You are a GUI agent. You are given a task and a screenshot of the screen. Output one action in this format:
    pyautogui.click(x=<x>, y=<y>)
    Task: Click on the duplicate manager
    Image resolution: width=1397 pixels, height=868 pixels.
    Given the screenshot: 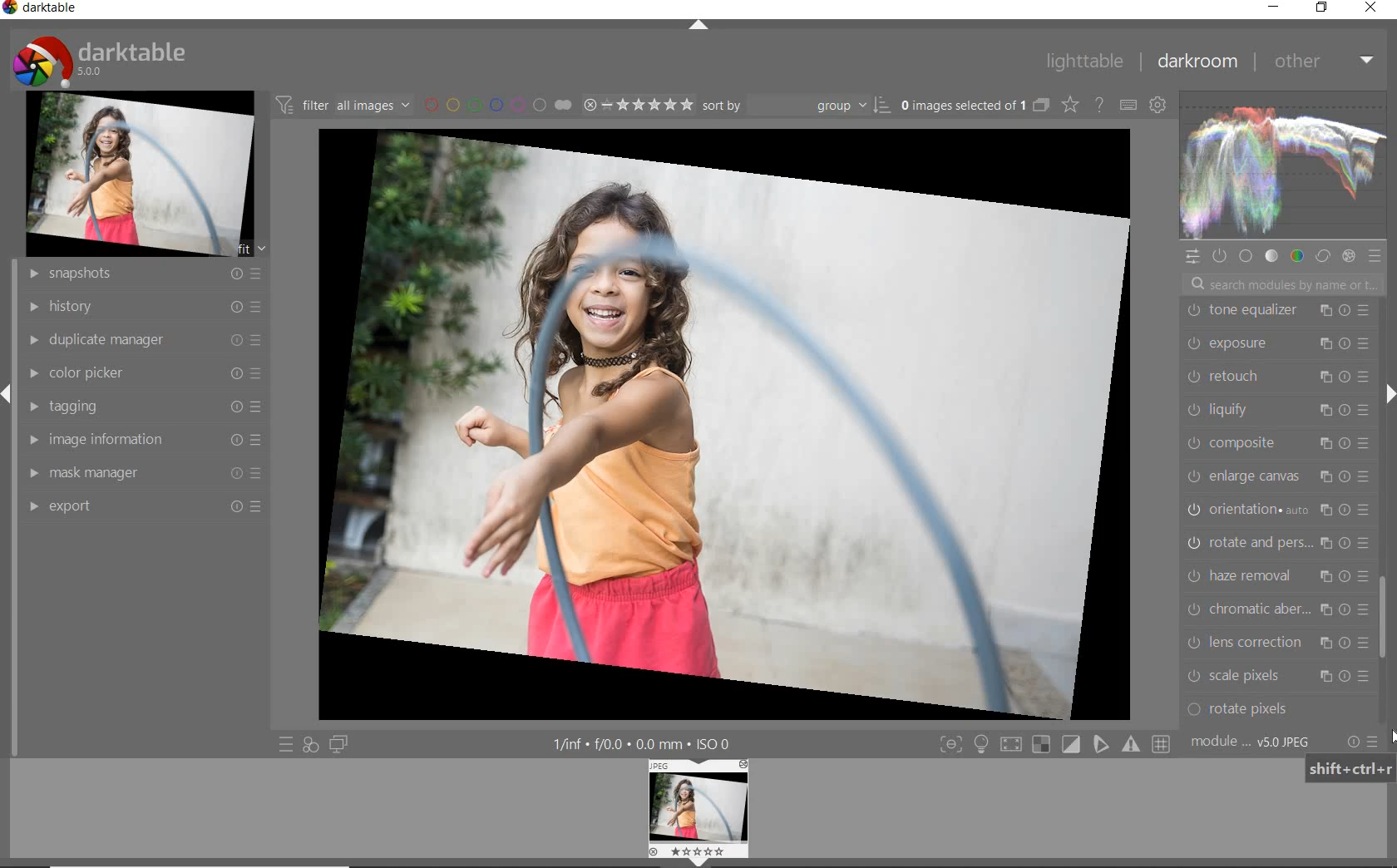 What is the action you would take?
    pyautogui.click(x=146, y=340)
    